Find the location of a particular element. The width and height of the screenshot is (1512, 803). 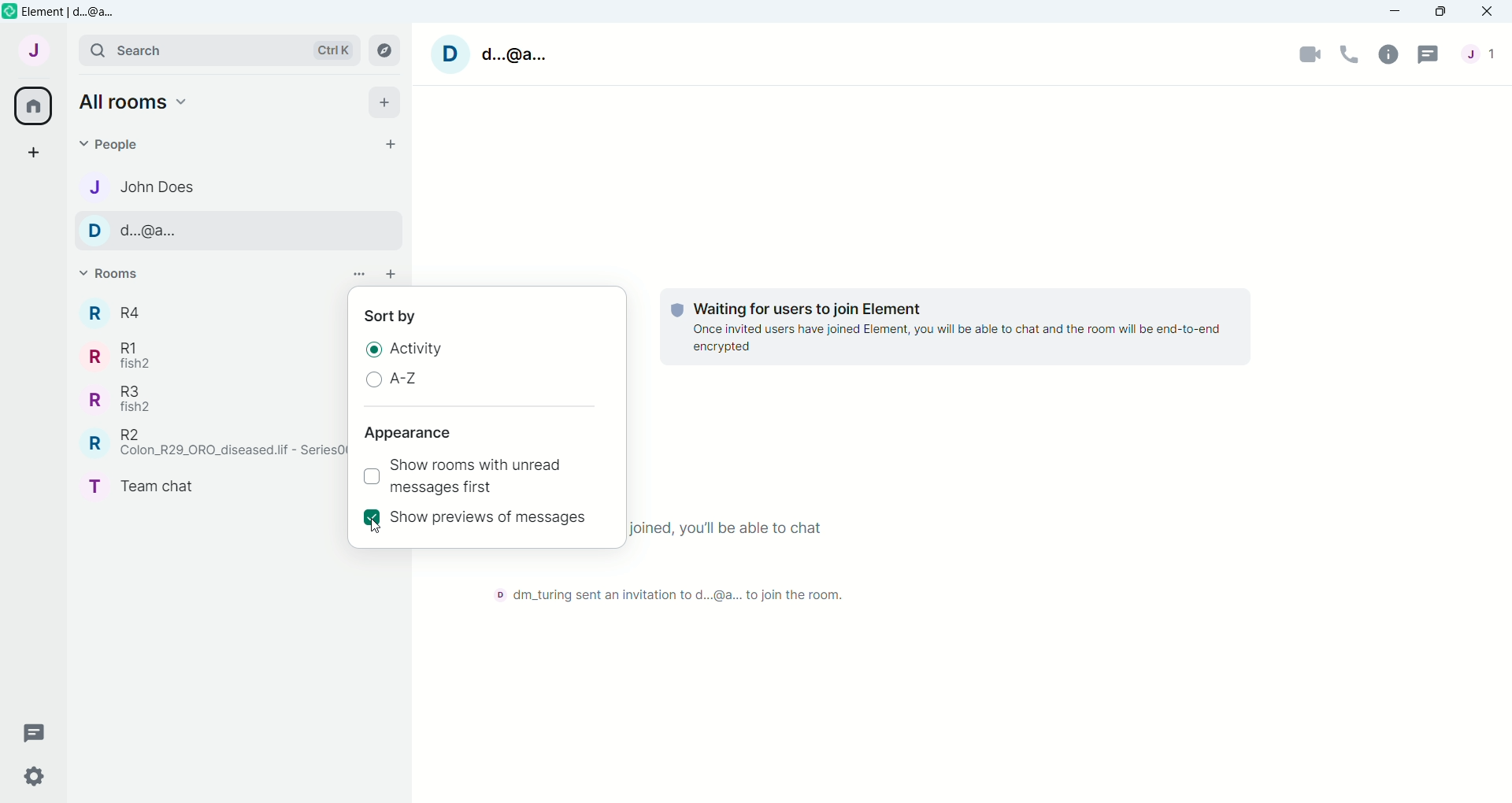

Selected check box is located at coordinates (372, 519).